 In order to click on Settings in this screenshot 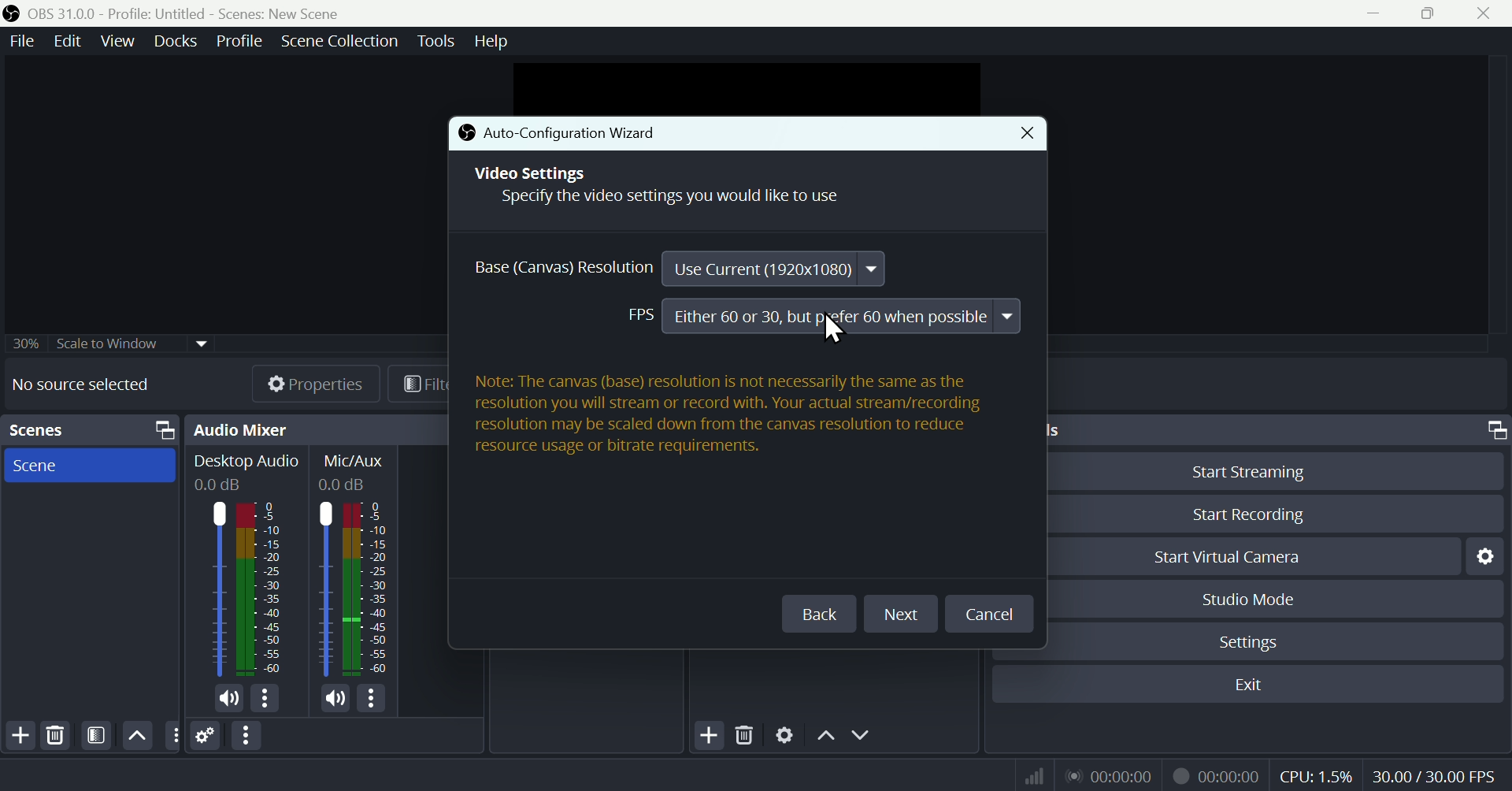, I will do `click(206, 735)`.